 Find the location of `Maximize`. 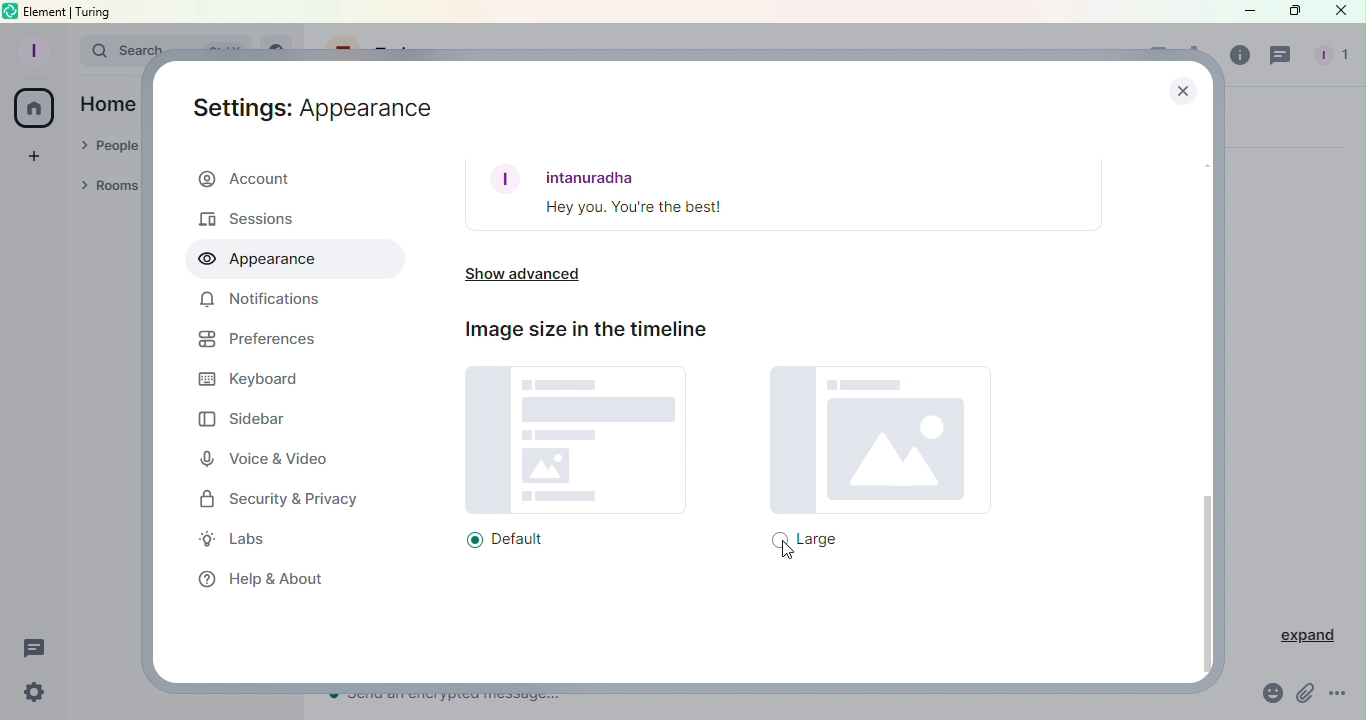

Maximize is located at coordinates (1291, 12).